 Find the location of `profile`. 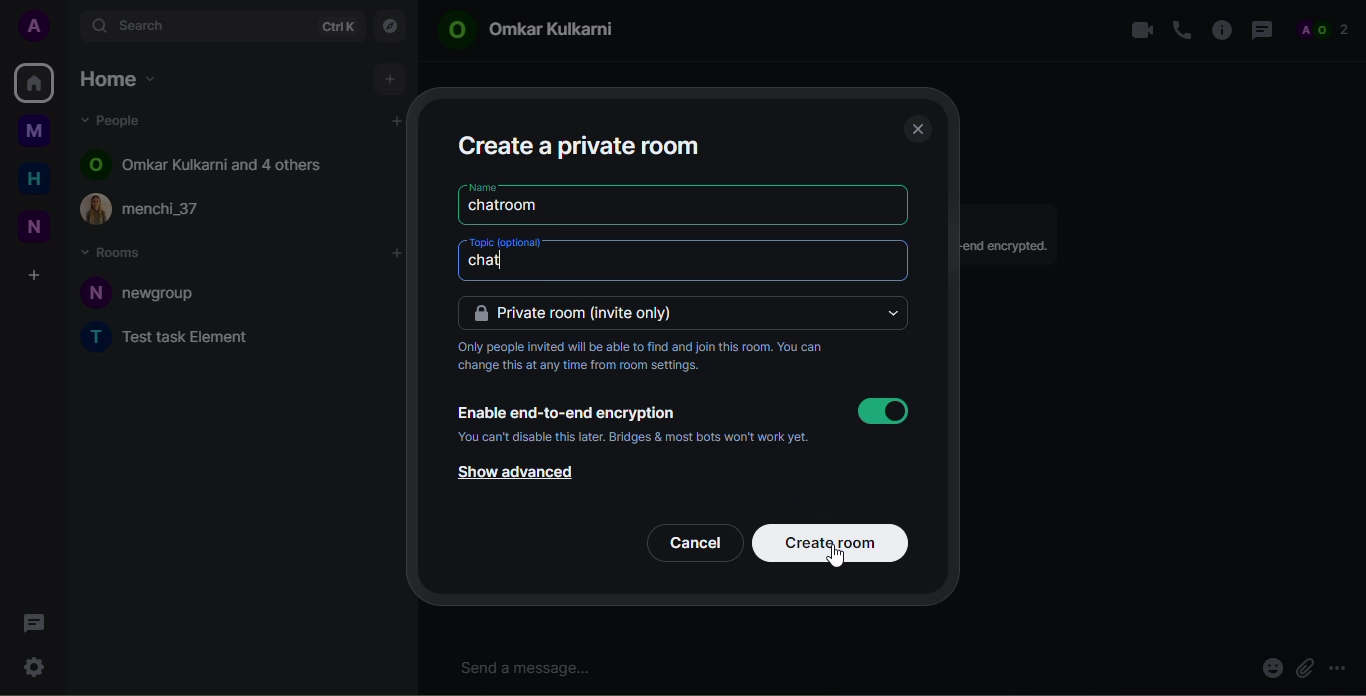

profile is located at coordinates (37, 25).